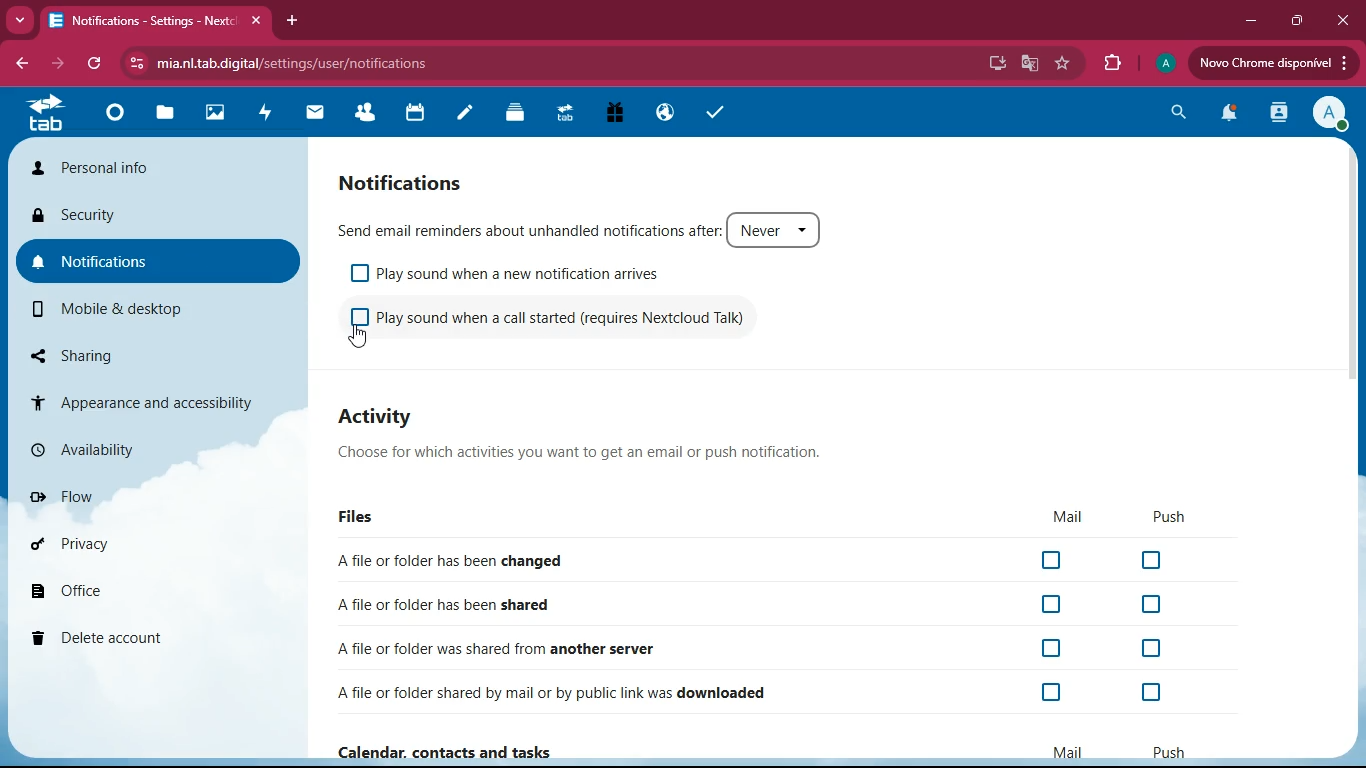 The width and height of the screenshot is (1366, 768). Describe the element at coordinates (357, 327) in the screenshot. I see `off` at that location.